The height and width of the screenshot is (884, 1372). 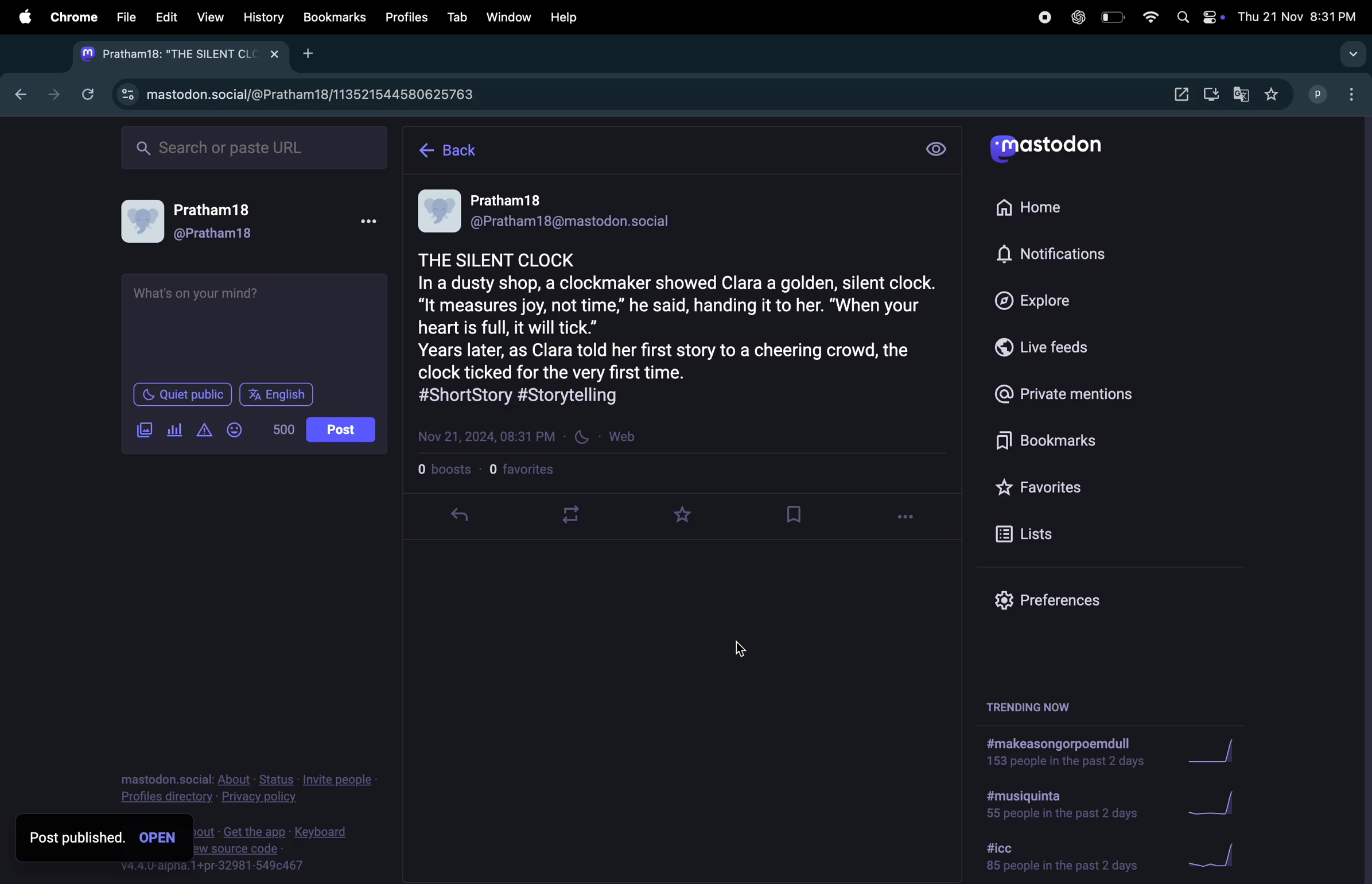 What do you see at coordinates (280, 852) in the screenshot?
I see `source code` at bounding box center [280, 852].